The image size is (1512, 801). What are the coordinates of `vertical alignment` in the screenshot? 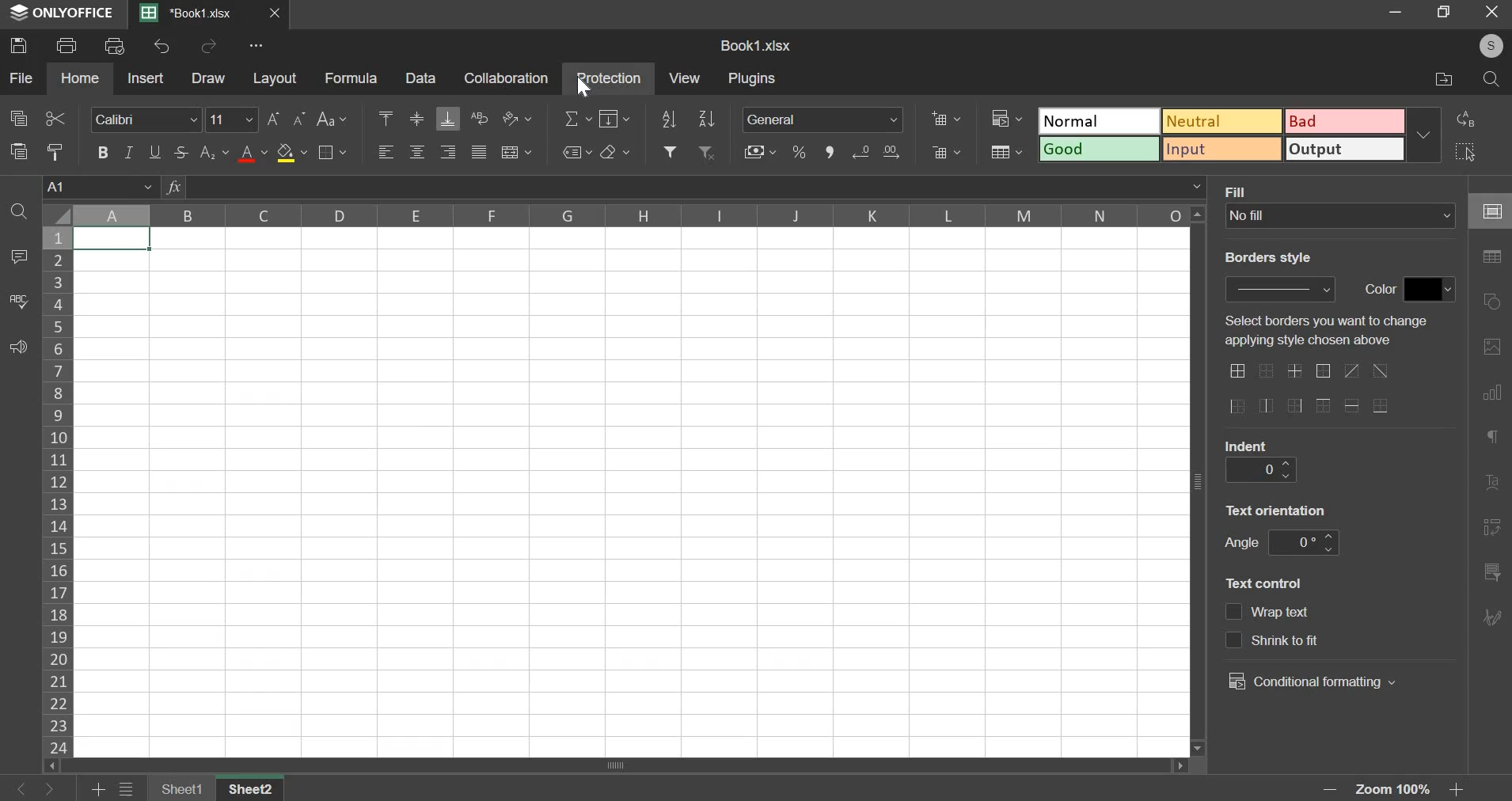 It's located at (386, 120).